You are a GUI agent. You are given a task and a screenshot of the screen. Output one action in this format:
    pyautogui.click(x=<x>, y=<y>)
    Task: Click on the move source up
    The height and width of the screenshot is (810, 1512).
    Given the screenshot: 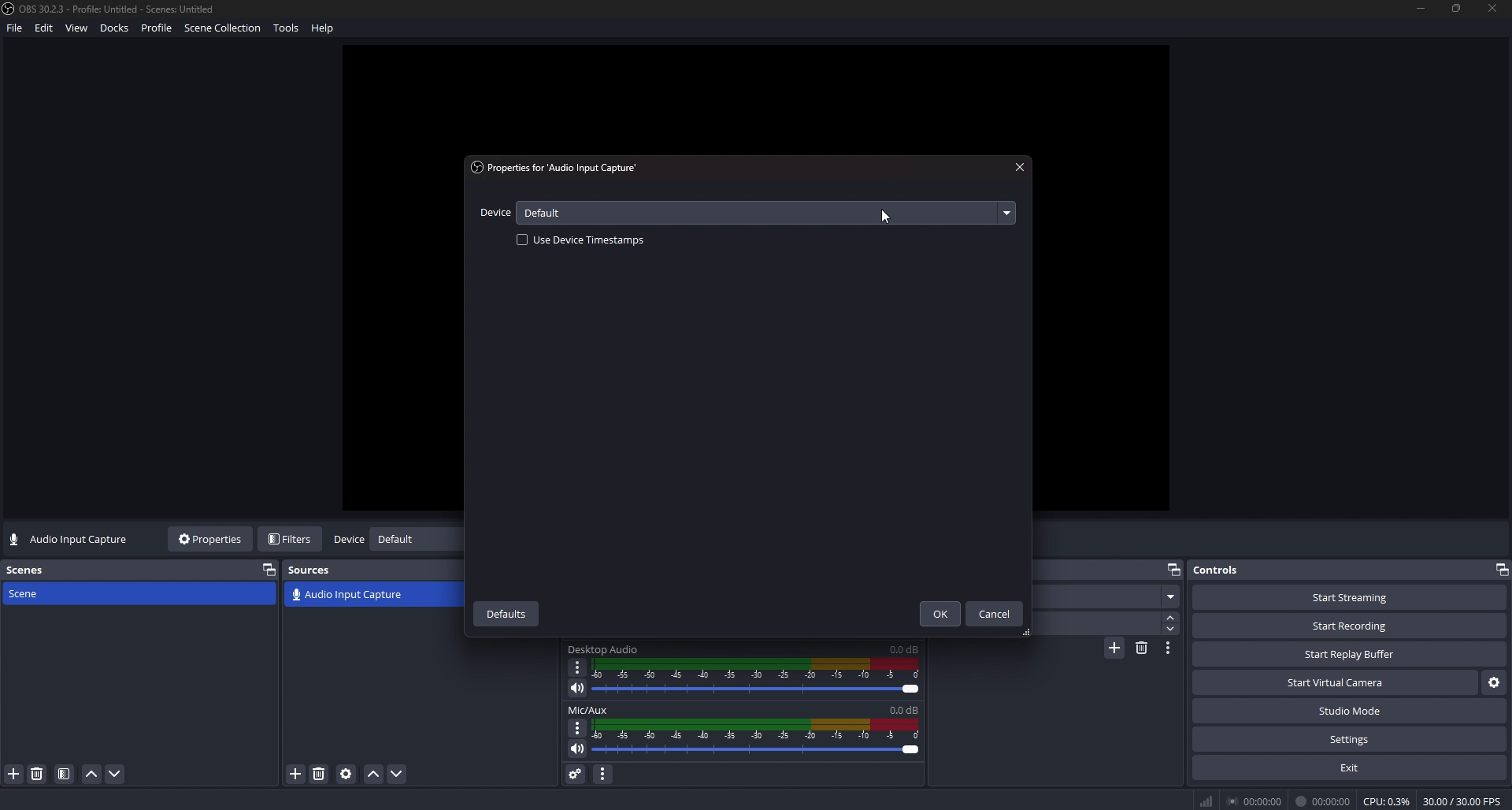 What is the action you would take?
    pyautogui.click(x=374, y=775)
    